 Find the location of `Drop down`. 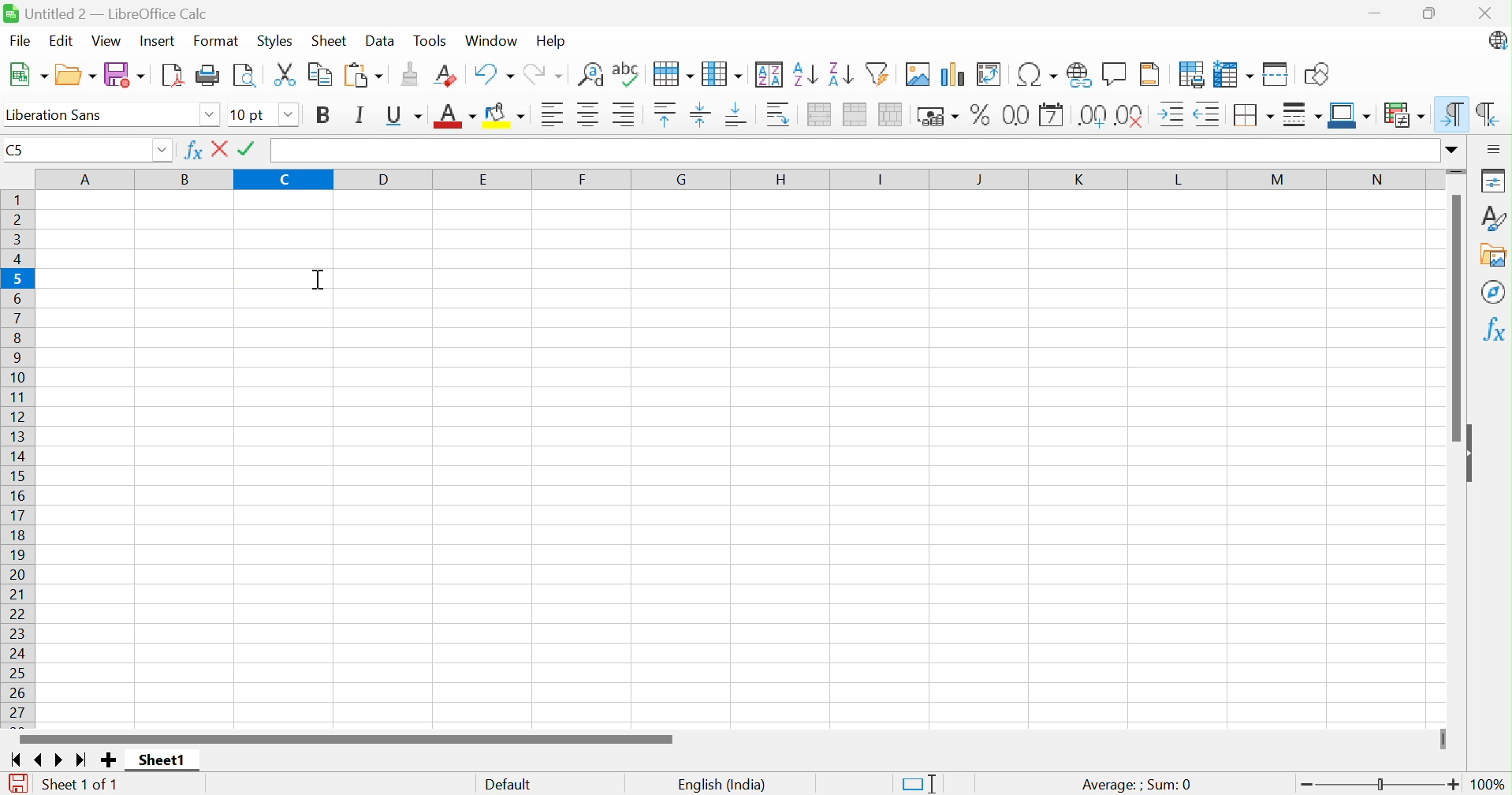

Drop down is located at coordinates (289, 115).